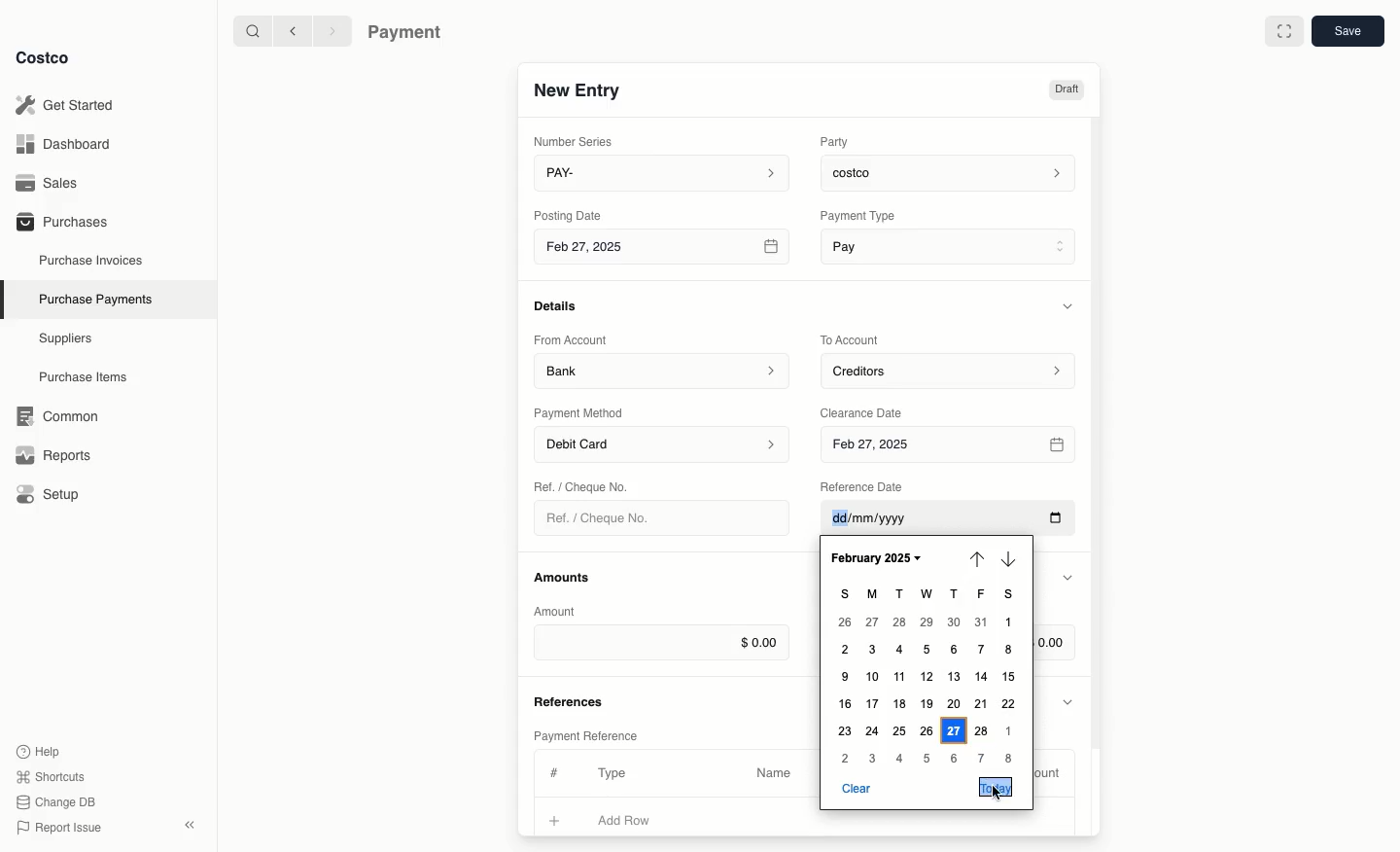 The width and height of the screenshot is (1400, 852). Describe the element at coordinates (838, 141) in the screenshot. I see `Party` at that location.